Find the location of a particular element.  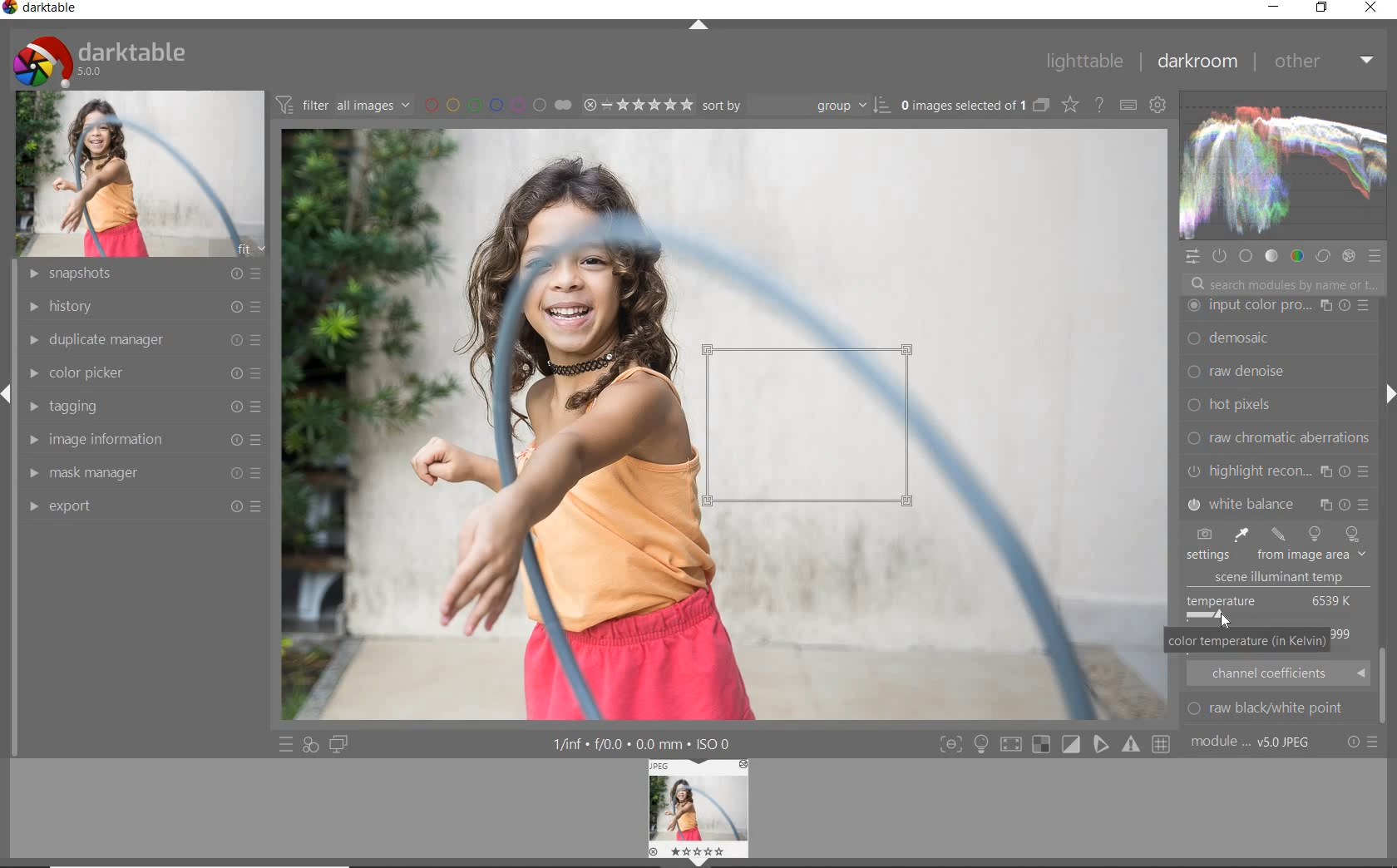

correct is located at coordinates (1322, 254).